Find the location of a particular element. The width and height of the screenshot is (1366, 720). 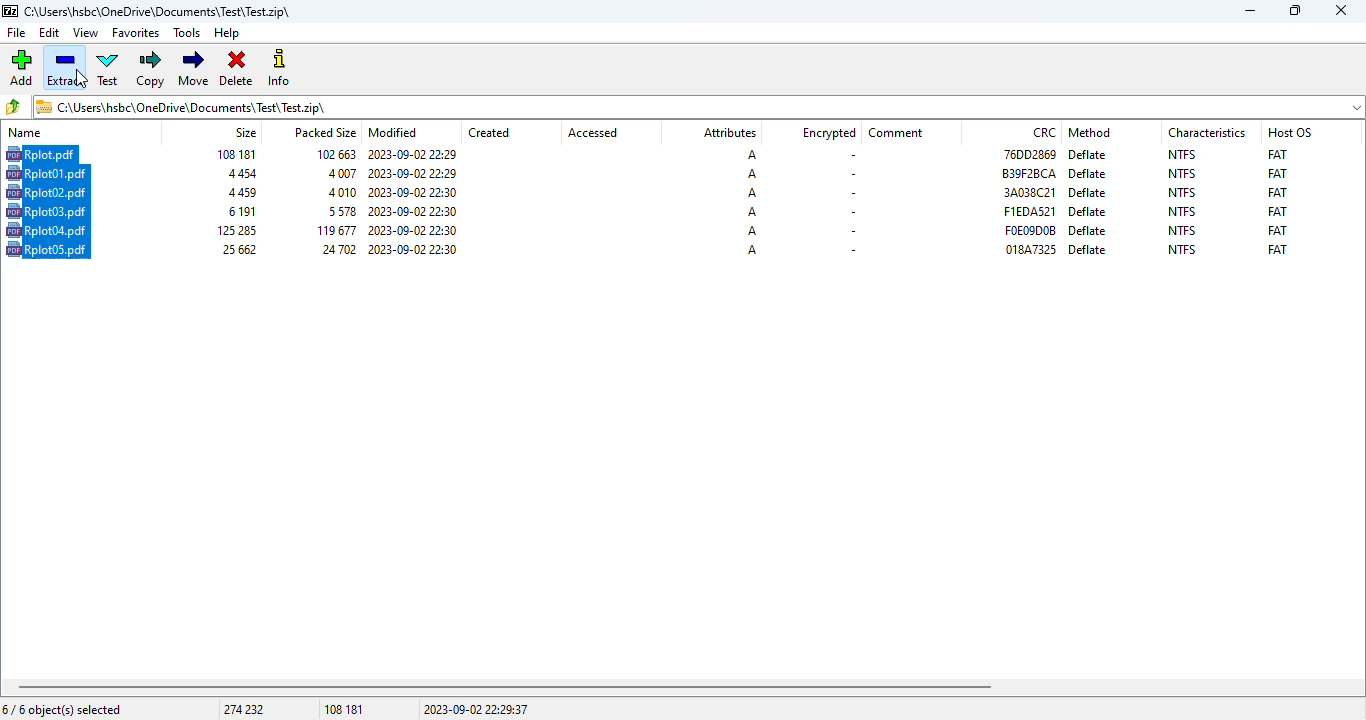

deflate is located at coordinates (1088, 249).